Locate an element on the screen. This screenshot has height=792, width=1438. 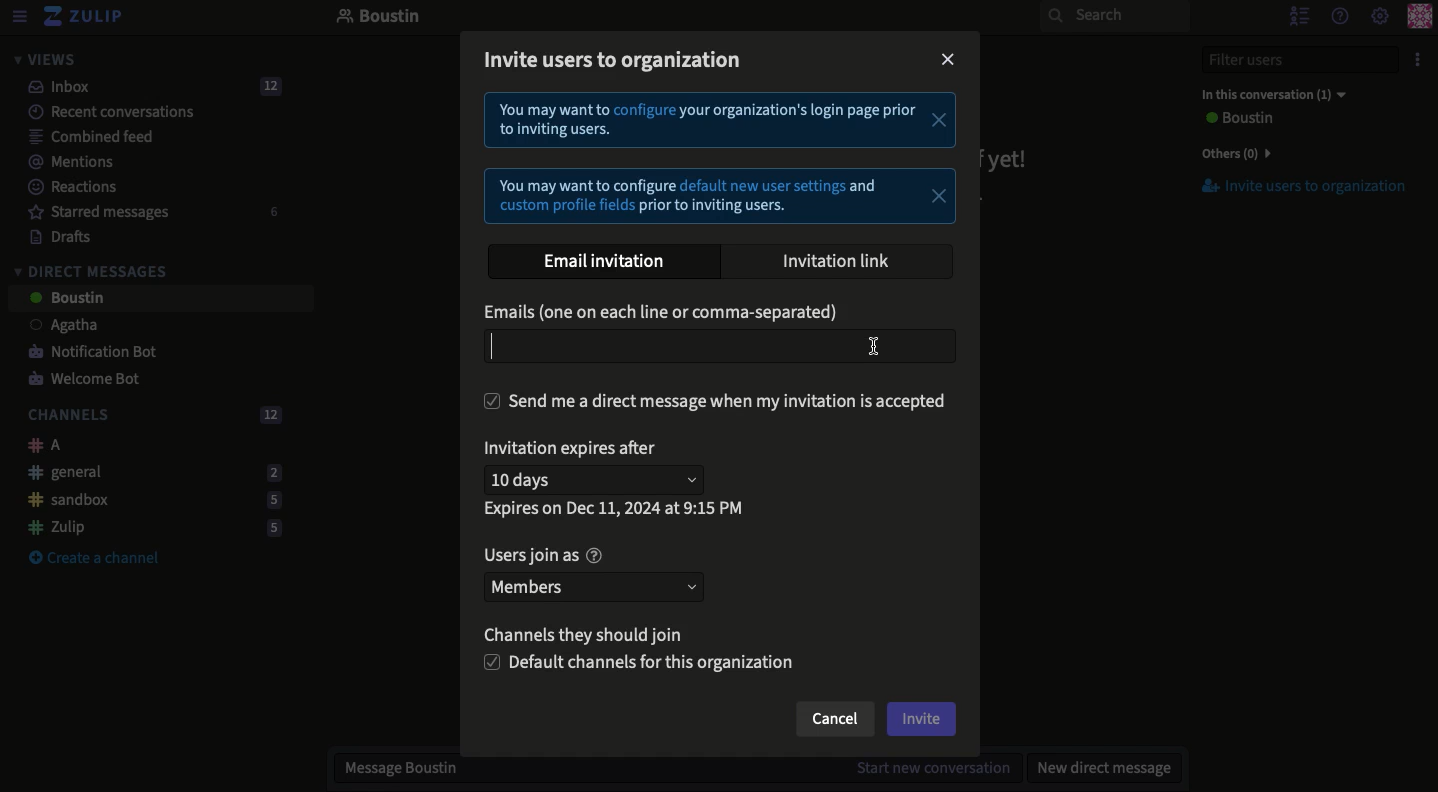
Sandbox is located at coordinates (147, 501).